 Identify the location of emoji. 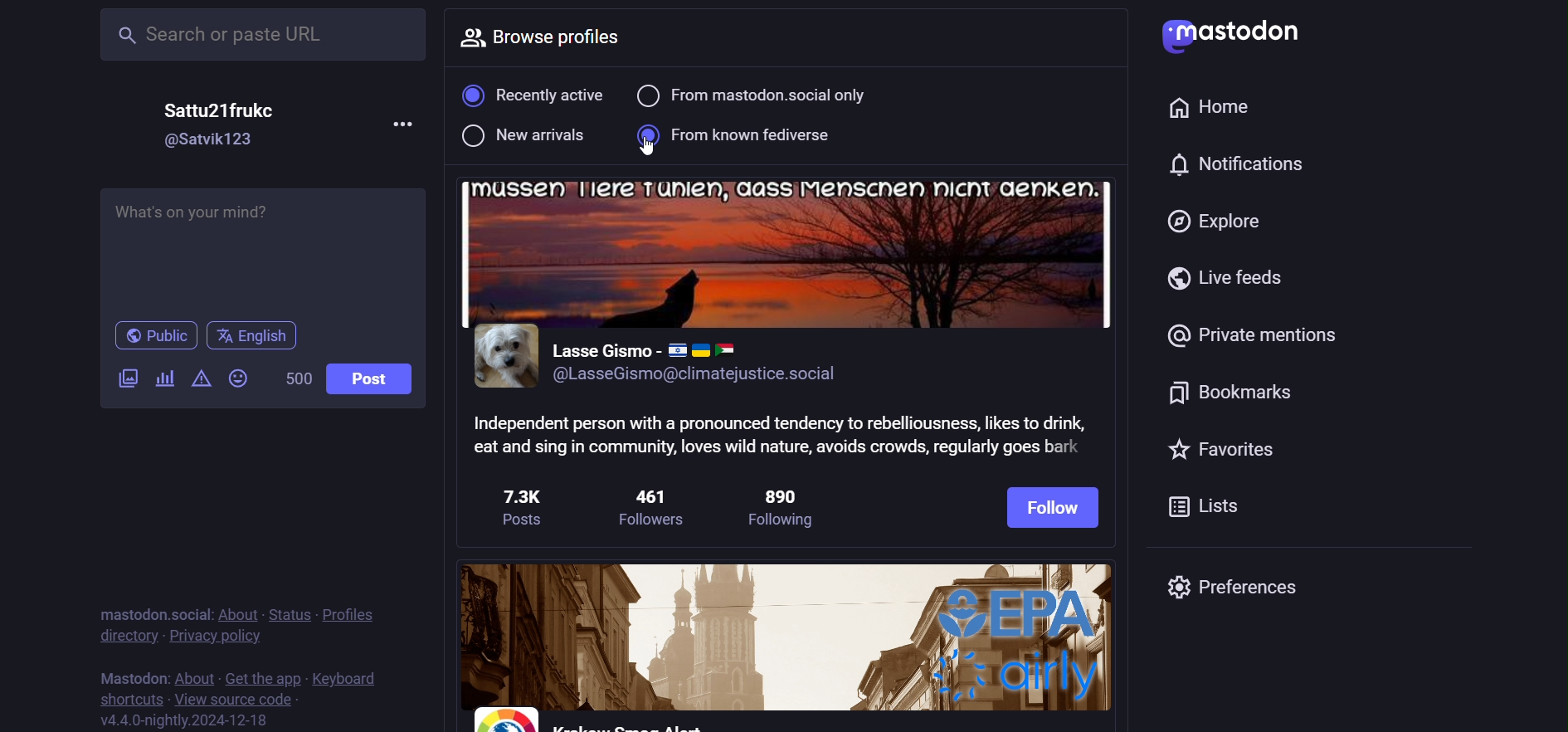
(238, 376).